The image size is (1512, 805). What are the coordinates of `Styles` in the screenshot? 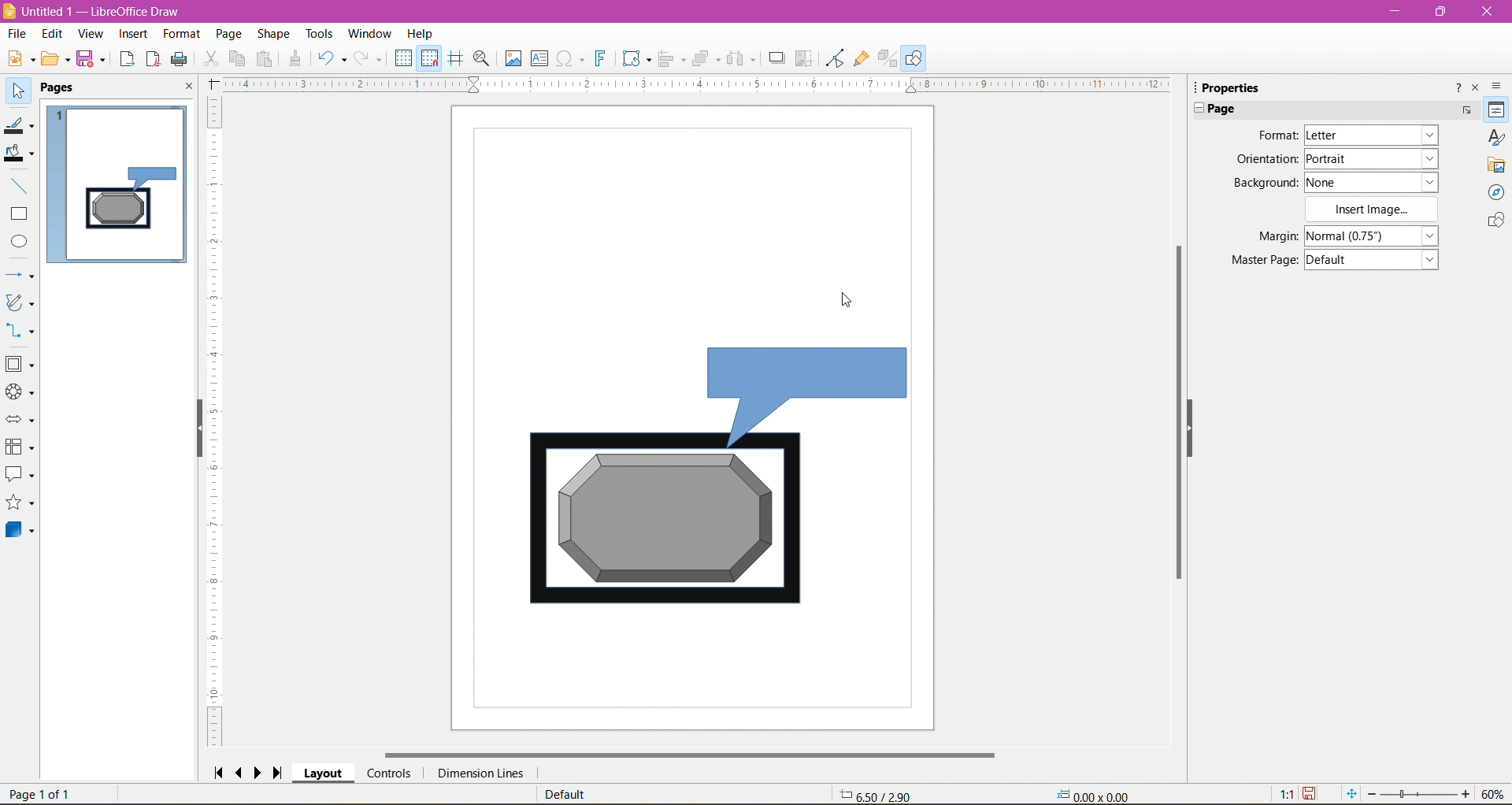 It's located at (1496, 137).